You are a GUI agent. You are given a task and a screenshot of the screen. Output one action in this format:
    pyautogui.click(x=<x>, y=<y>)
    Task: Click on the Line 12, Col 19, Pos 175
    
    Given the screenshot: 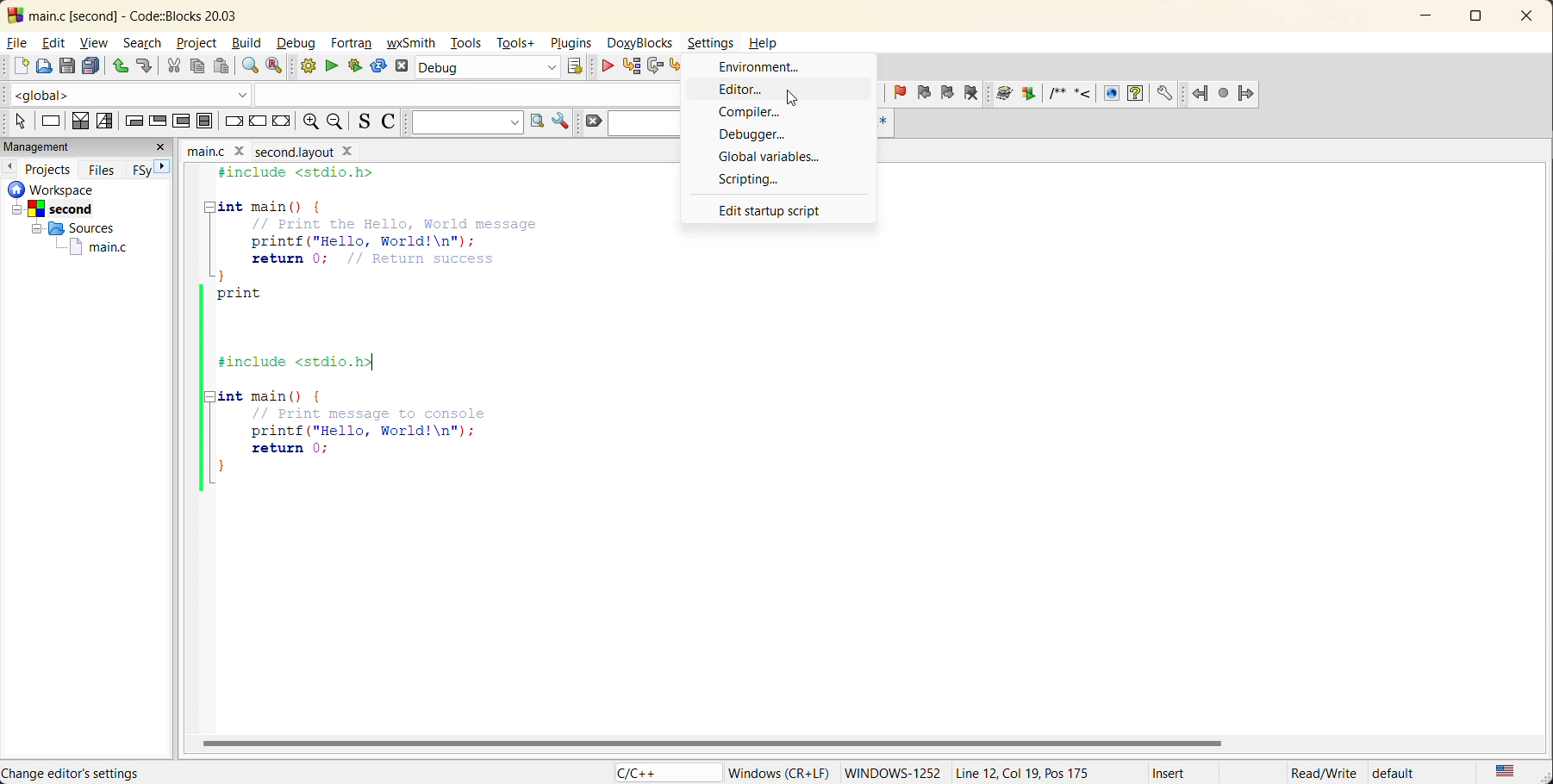 What is the action you would take?
    pyautogui.click(x=1029, y=769)
    